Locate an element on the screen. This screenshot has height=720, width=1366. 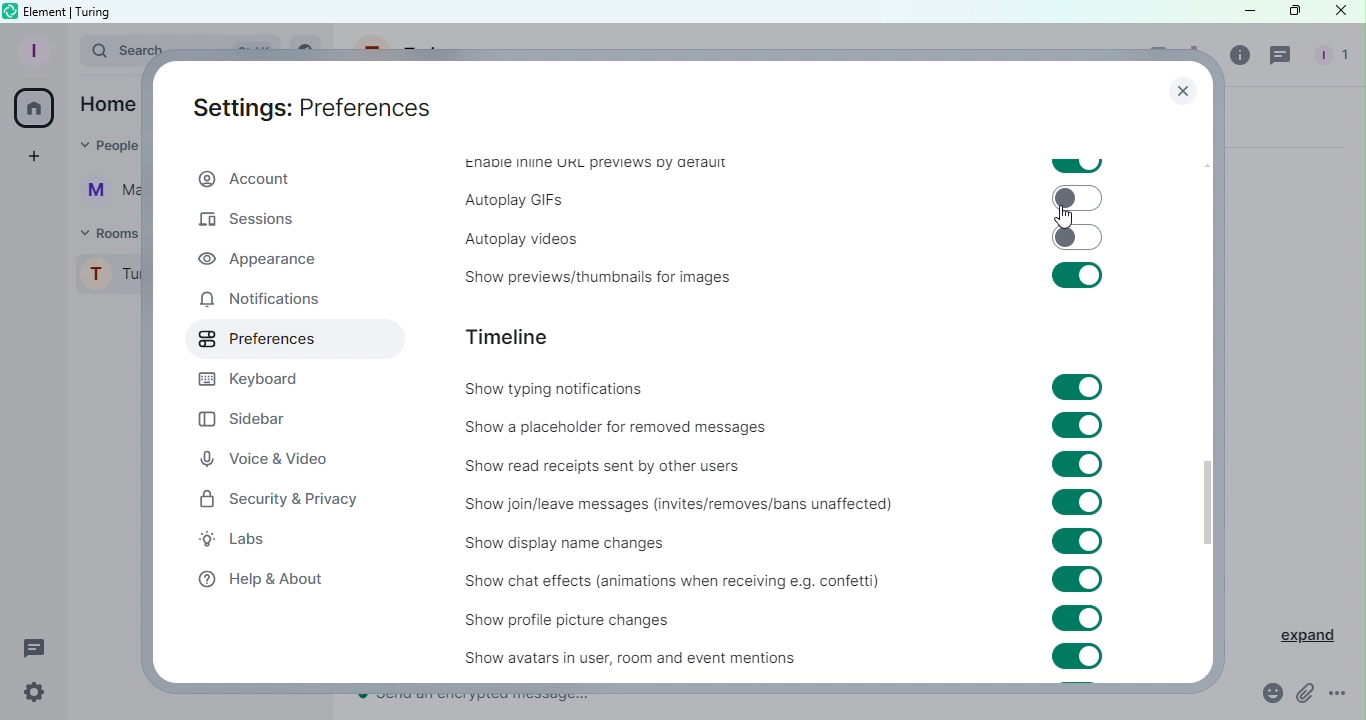
Threads is located at coordinates (1283, 58).